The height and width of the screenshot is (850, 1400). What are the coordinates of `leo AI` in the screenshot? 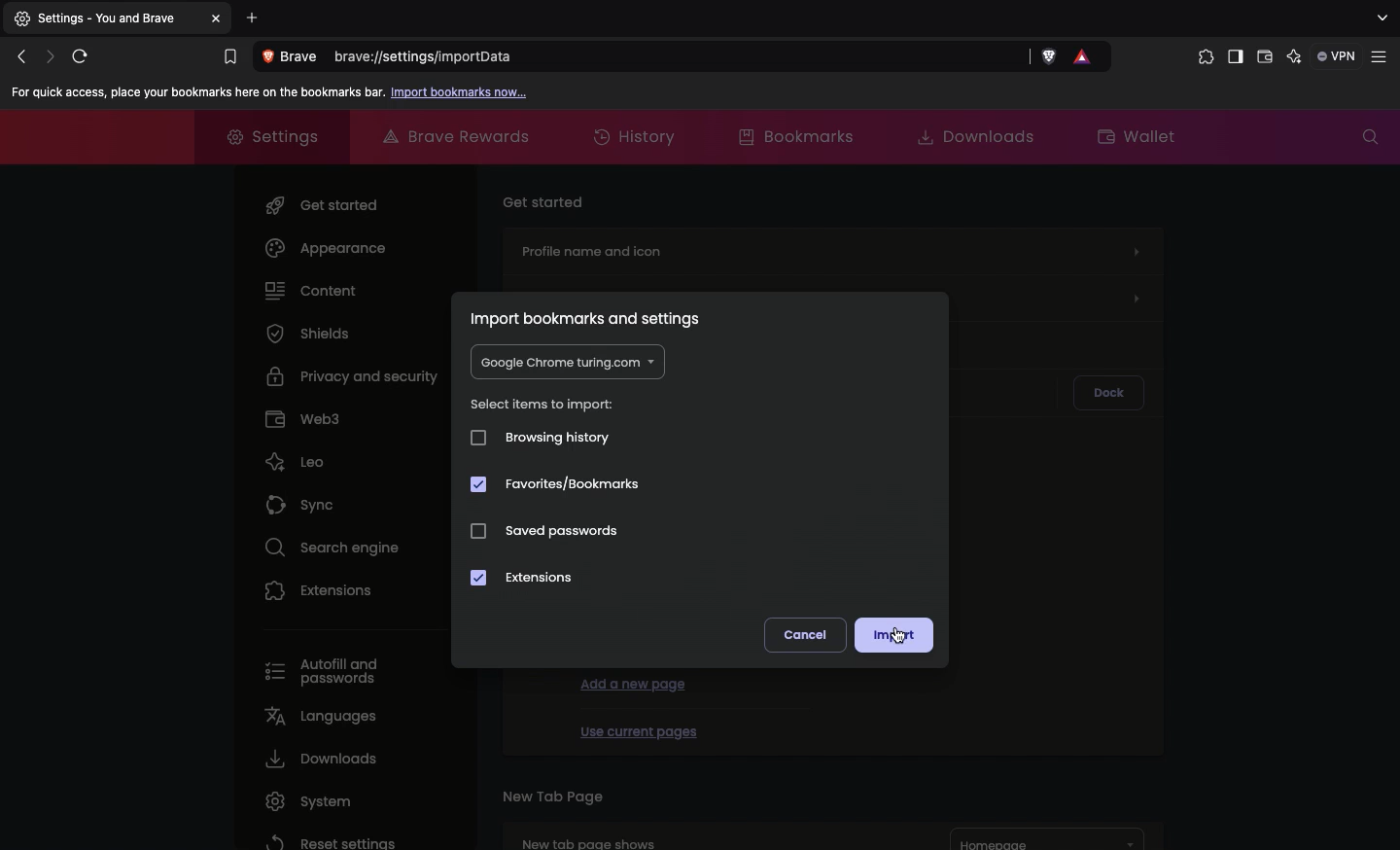 It's located at (1294, 57).